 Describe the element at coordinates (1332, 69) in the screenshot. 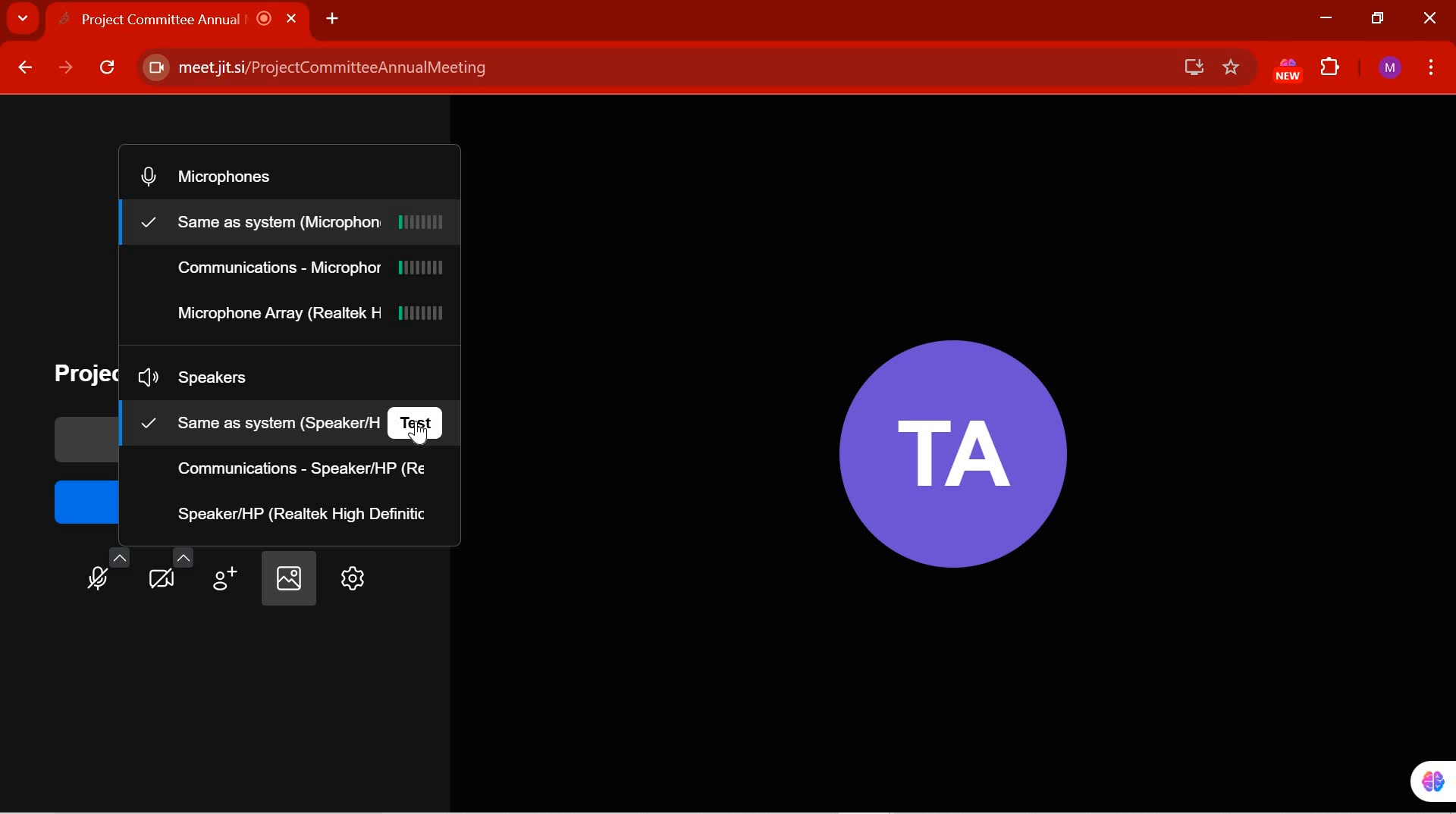

I see `EXTENSIONS` at that location.